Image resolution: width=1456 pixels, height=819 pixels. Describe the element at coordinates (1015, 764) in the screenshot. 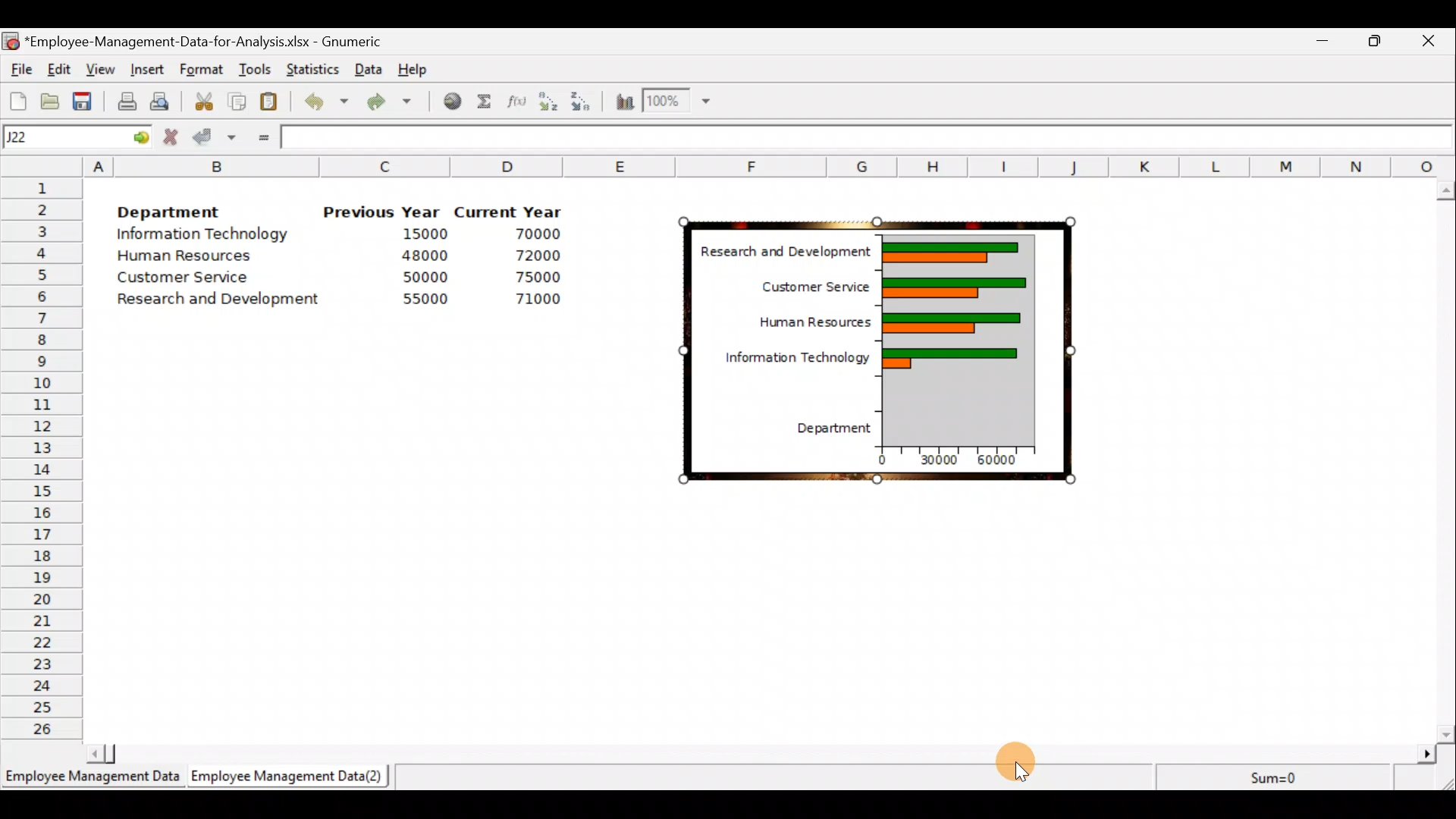

I see `Cursor` at that location.